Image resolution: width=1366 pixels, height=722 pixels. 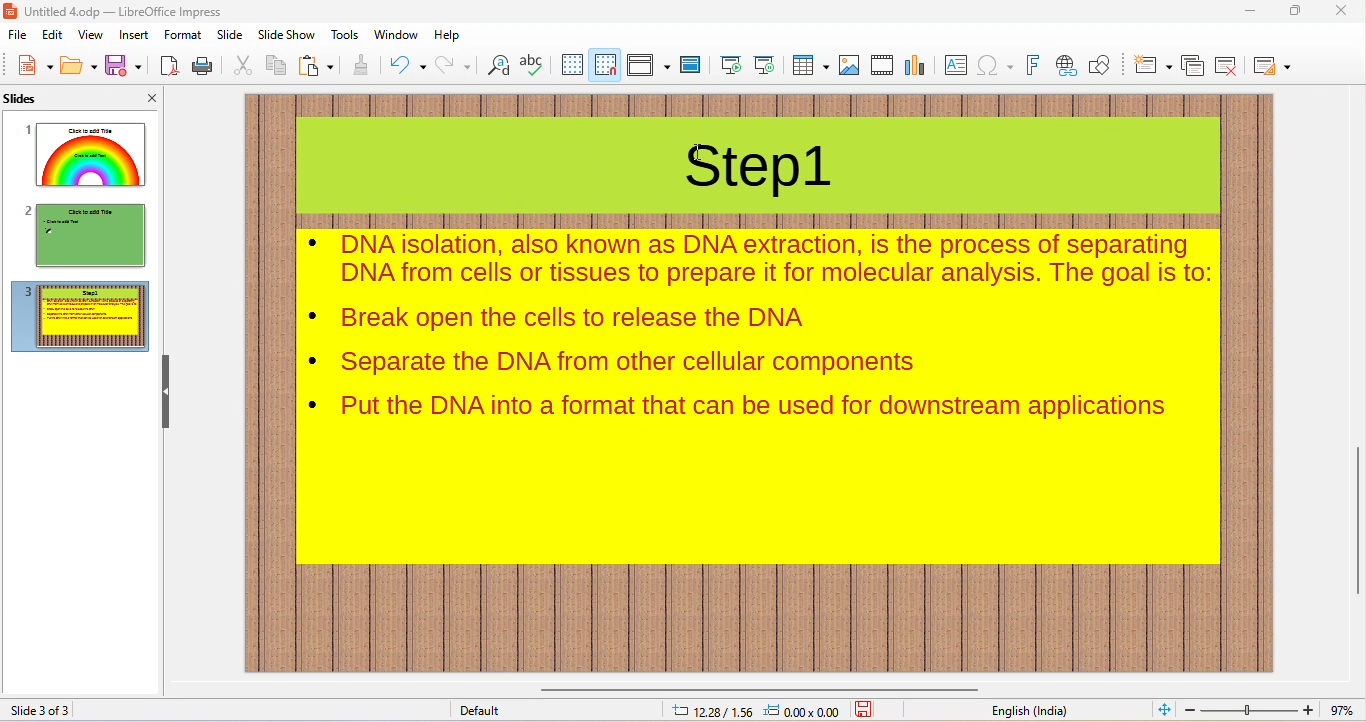 I want to click on vertical scroll, so click(x=1351, y=523).